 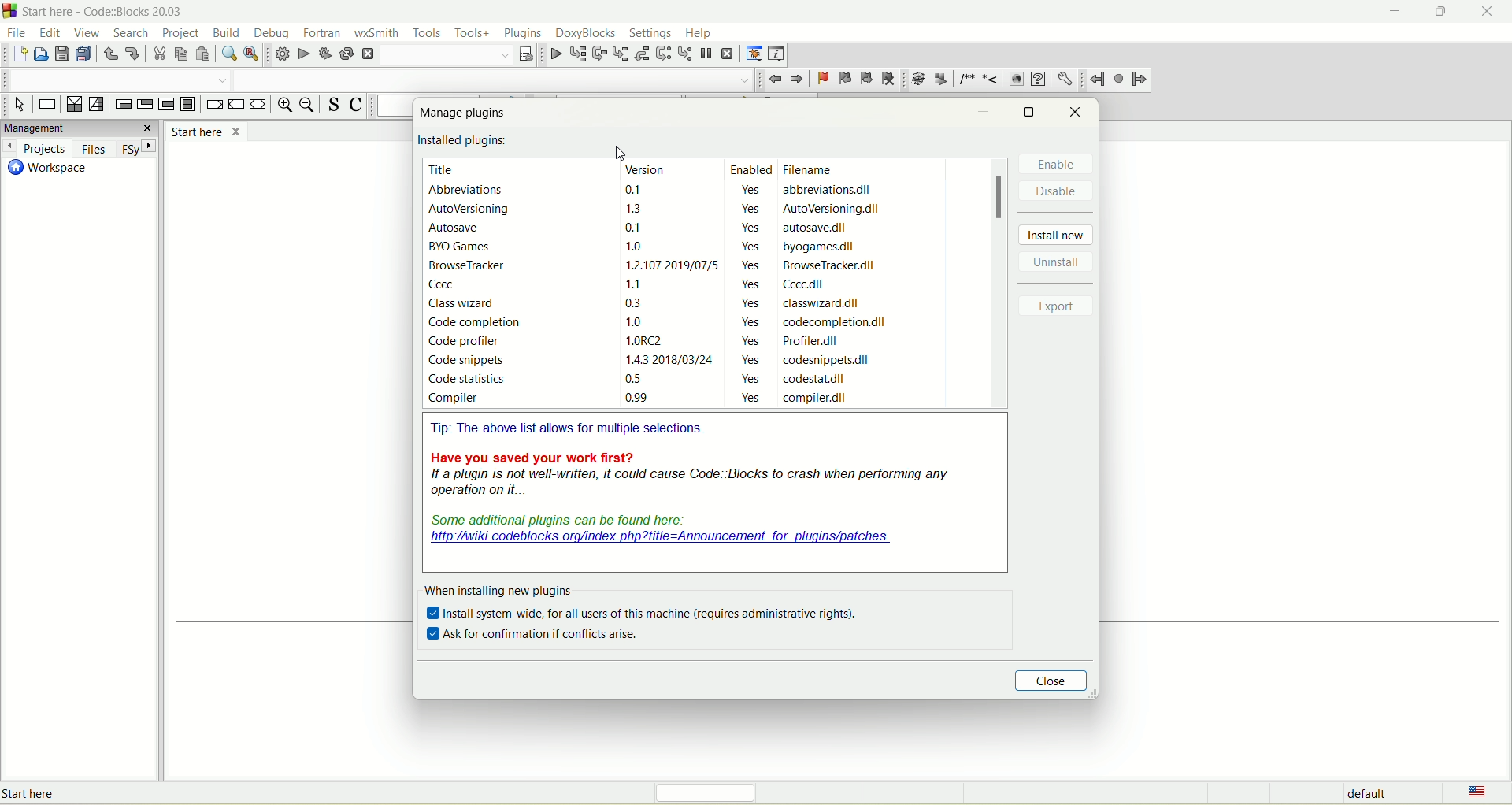 What do you see at coordinates (134, 53) in the screenshot?
I see `redo` at bounding box center [134, 53].